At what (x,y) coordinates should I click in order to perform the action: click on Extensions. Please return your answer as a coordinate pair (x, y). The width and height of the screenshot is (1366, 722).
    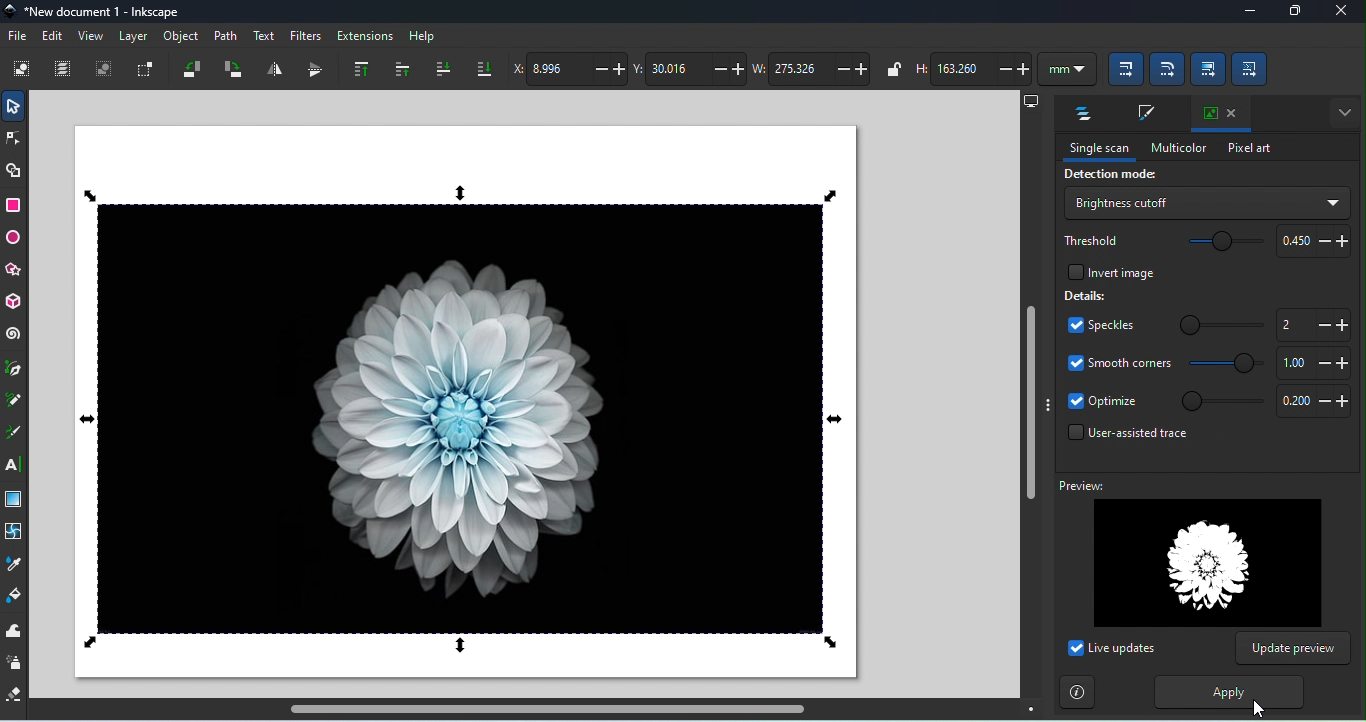
    Looking at the image, I should click on (366, 34).